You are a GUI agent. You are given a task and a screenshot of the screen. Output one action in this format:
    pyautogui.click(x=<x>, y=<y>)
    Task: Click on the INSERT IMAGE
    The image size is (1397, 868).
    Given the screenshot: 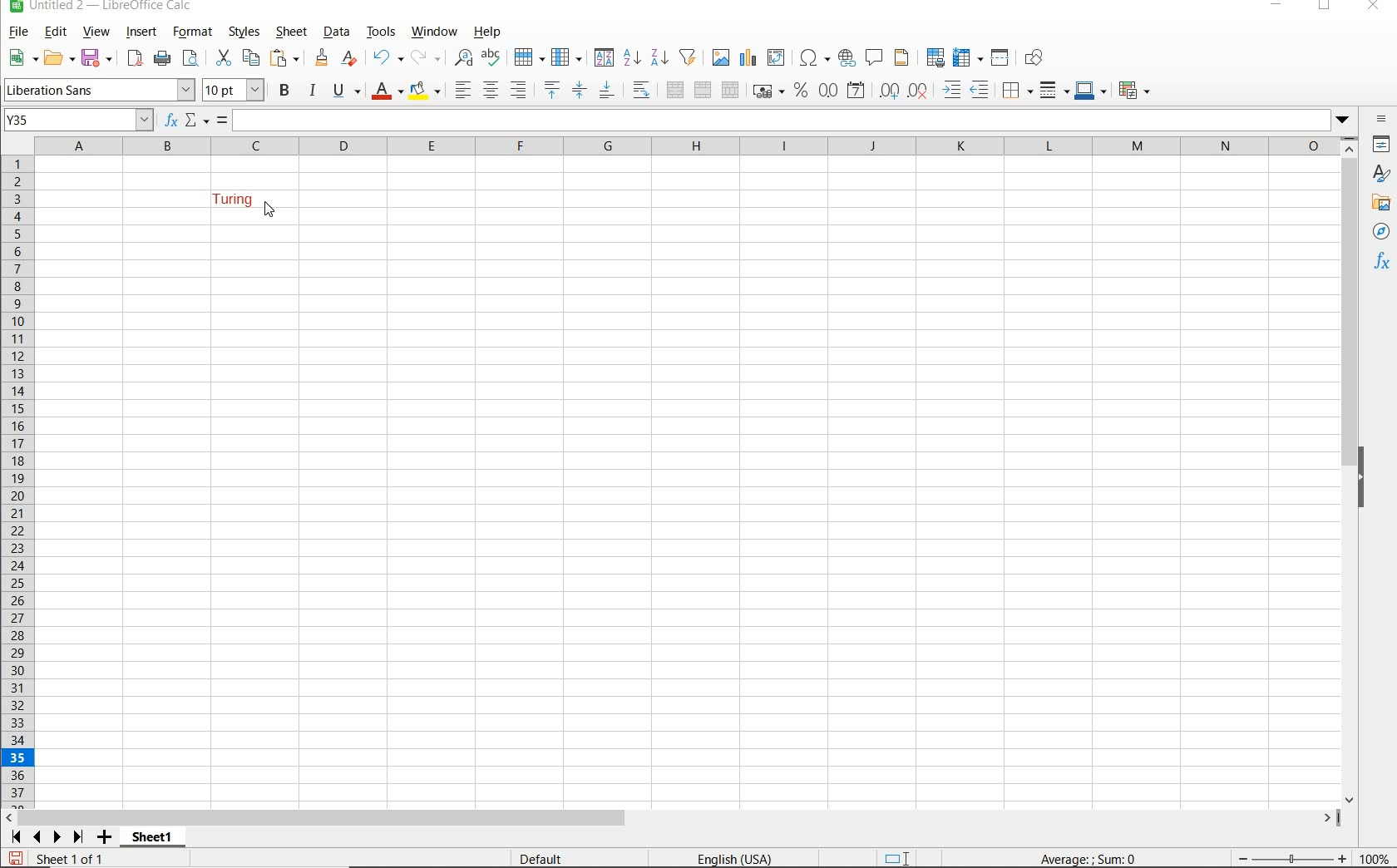 What is the action you would take?
    pyautogui.click(x=722, y=57)
    